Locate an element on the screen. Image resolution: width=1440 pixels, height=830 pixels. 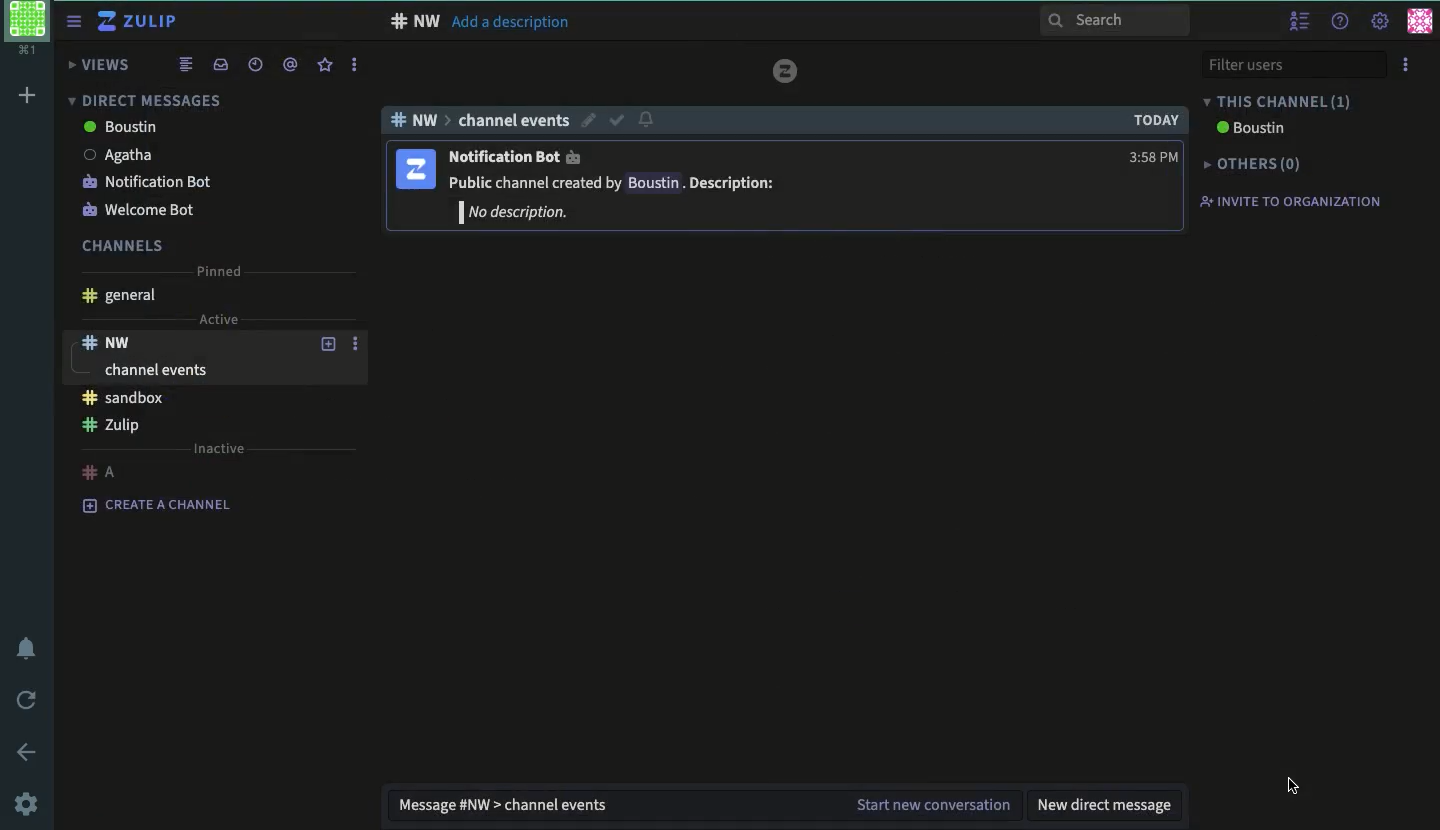
notification bot is located at coordinates (505, 156).